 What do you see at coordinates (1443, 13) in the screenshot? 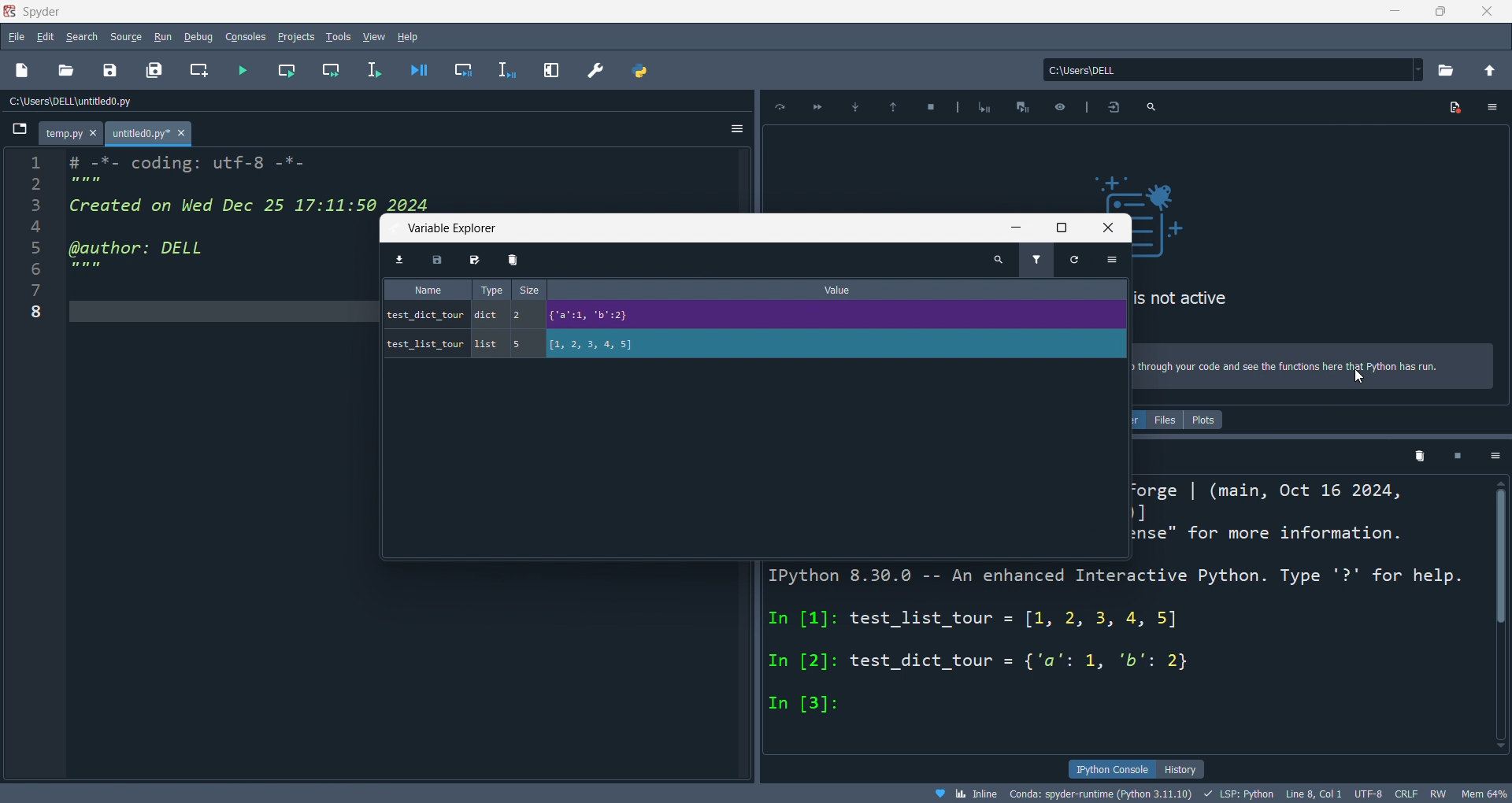
I see `maximize` at bounding box center [1443, 13].